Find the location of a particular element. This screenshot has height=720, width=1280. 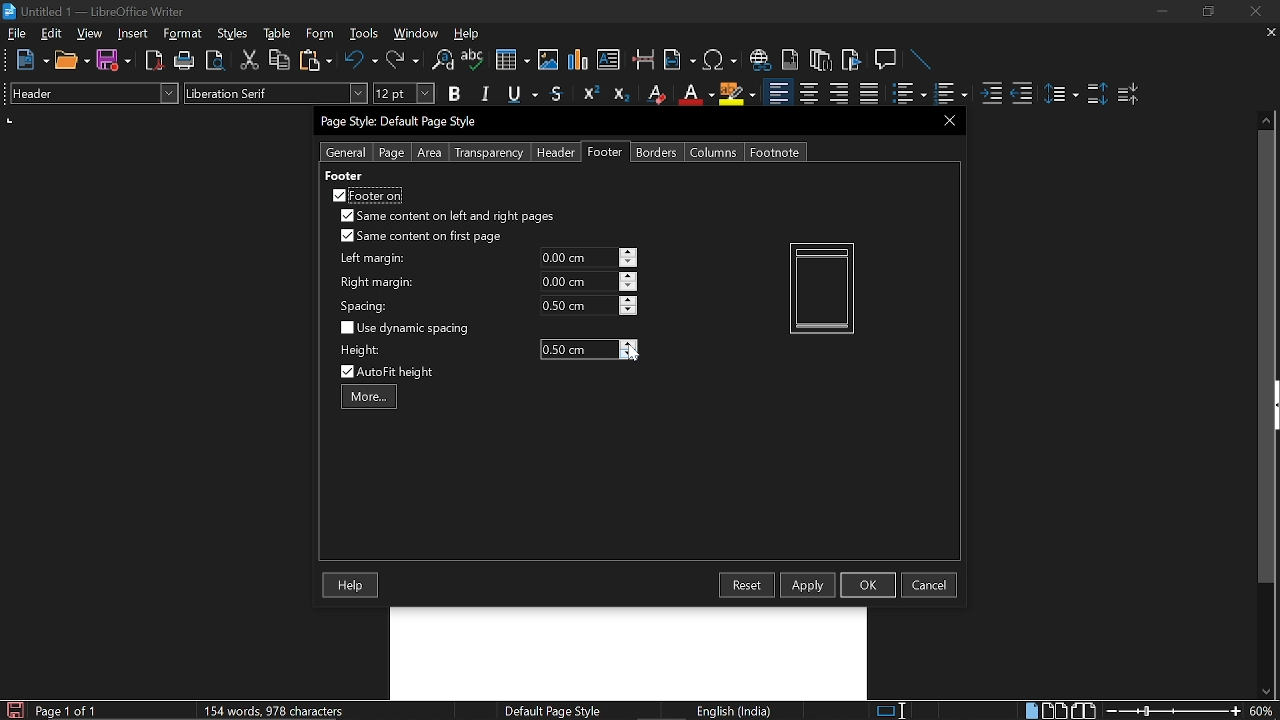

Book view is located at coordinates (1086, 710).